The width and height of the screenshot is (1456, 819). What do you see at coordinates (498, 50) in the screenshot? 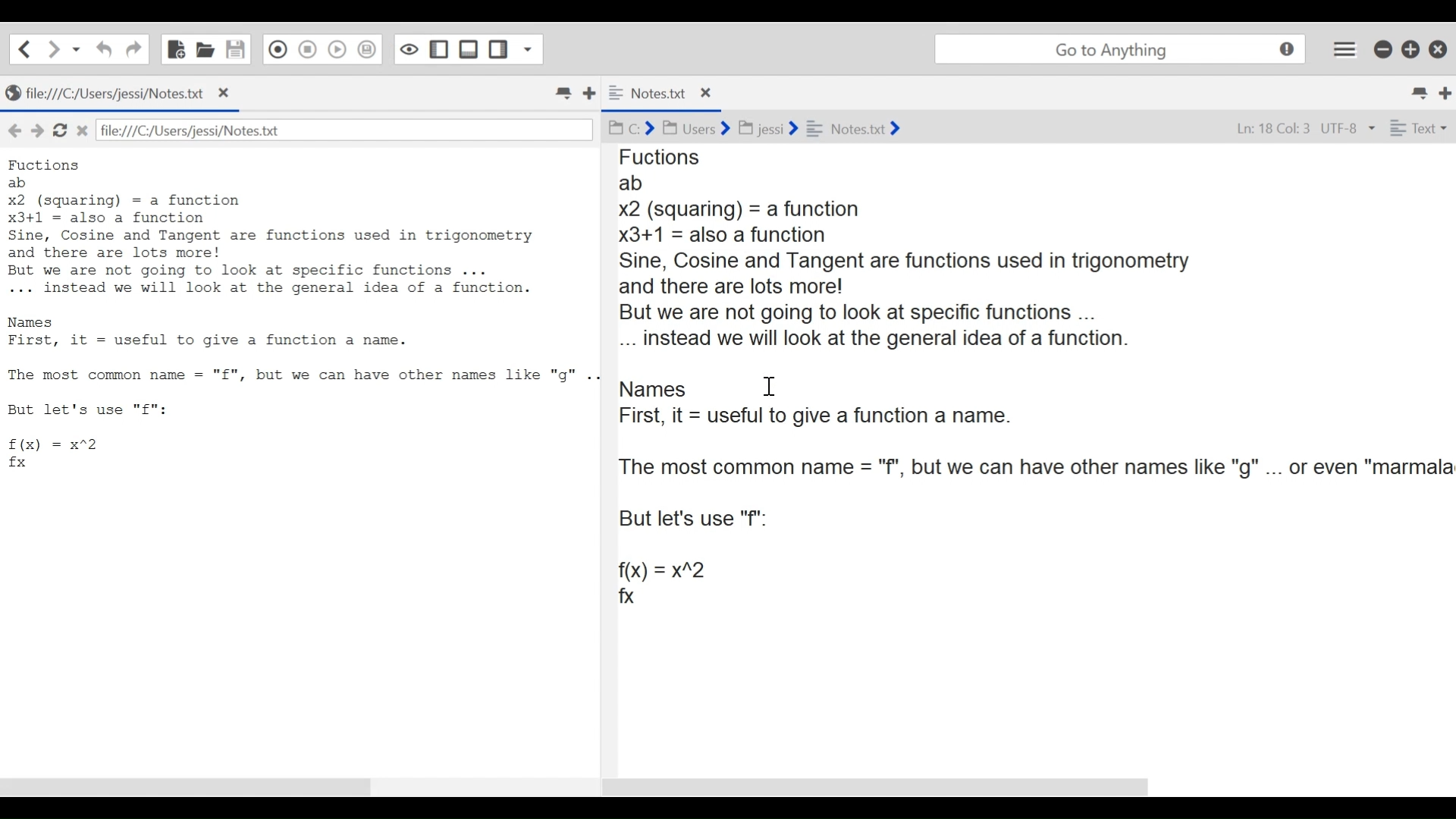
I see `Show/hide Right Pane` at bounding box center [498, 50].